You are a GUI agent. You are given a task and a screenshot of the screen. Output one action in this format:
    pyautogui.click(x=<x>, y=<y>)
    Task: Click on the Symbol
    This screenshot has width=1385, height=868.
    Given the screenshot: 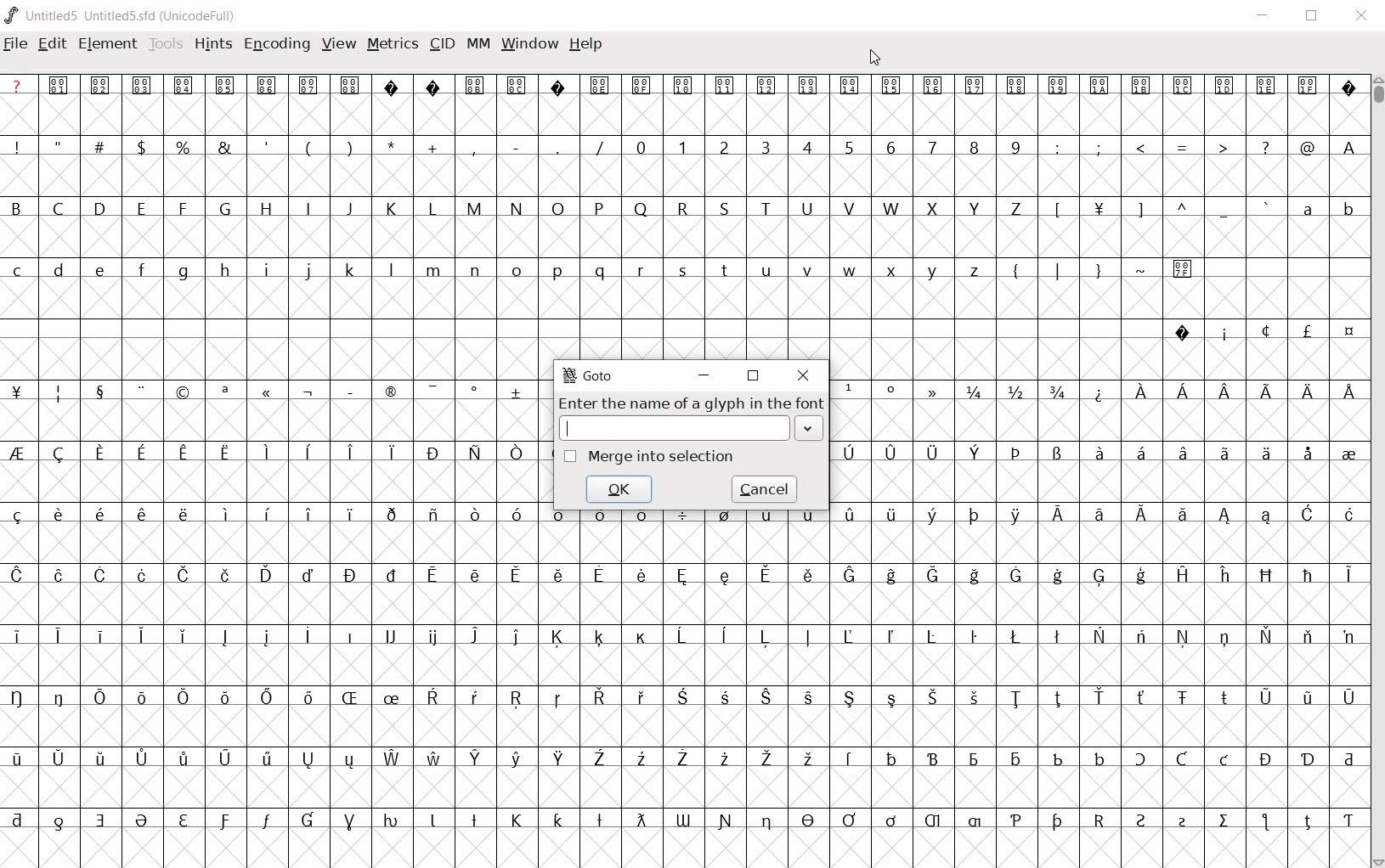 What is the action you would take?
    pyautogui.click(x=98, y=696)
    